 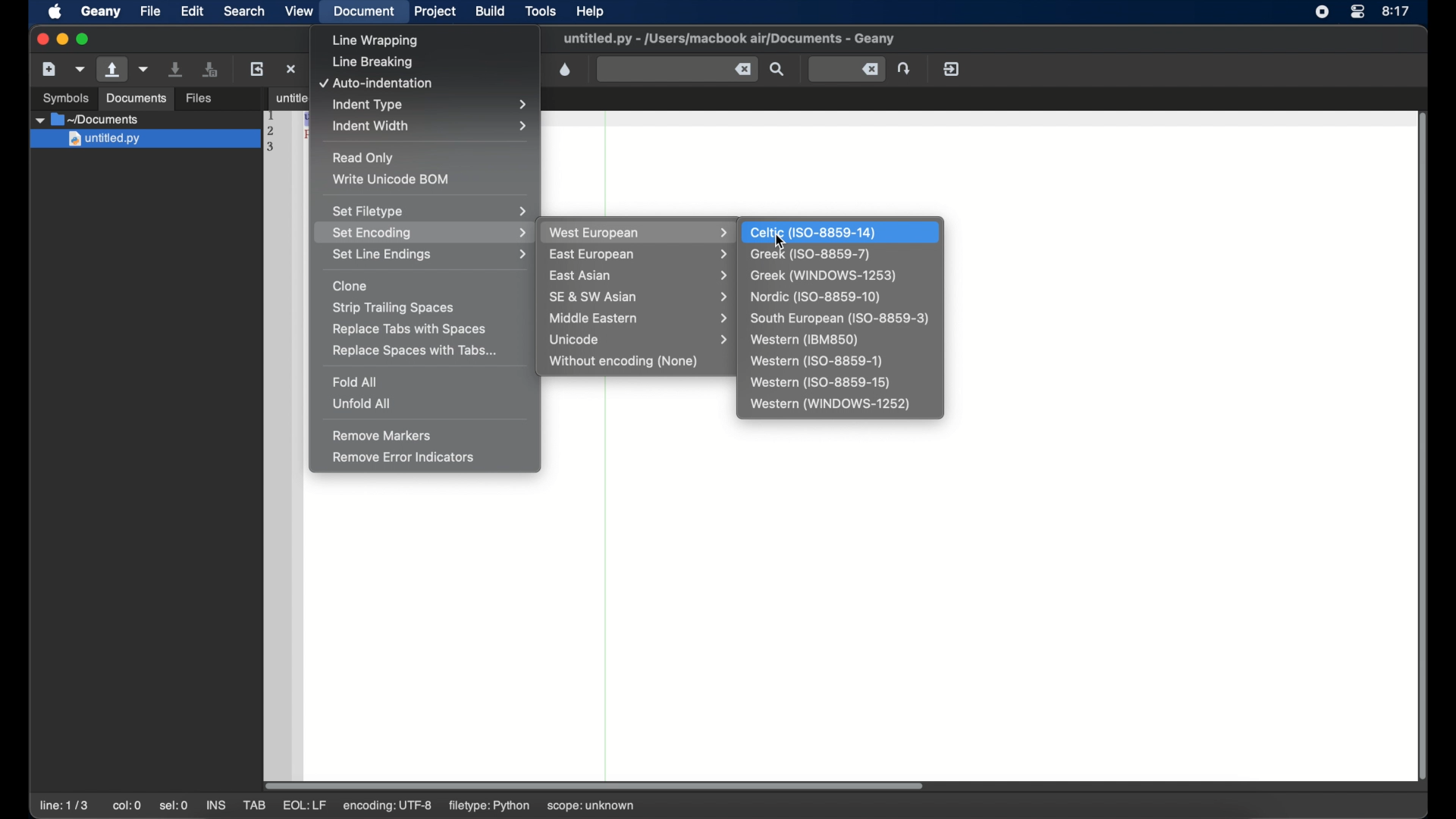 I want to click on nordic, so click(x=814, y=297).